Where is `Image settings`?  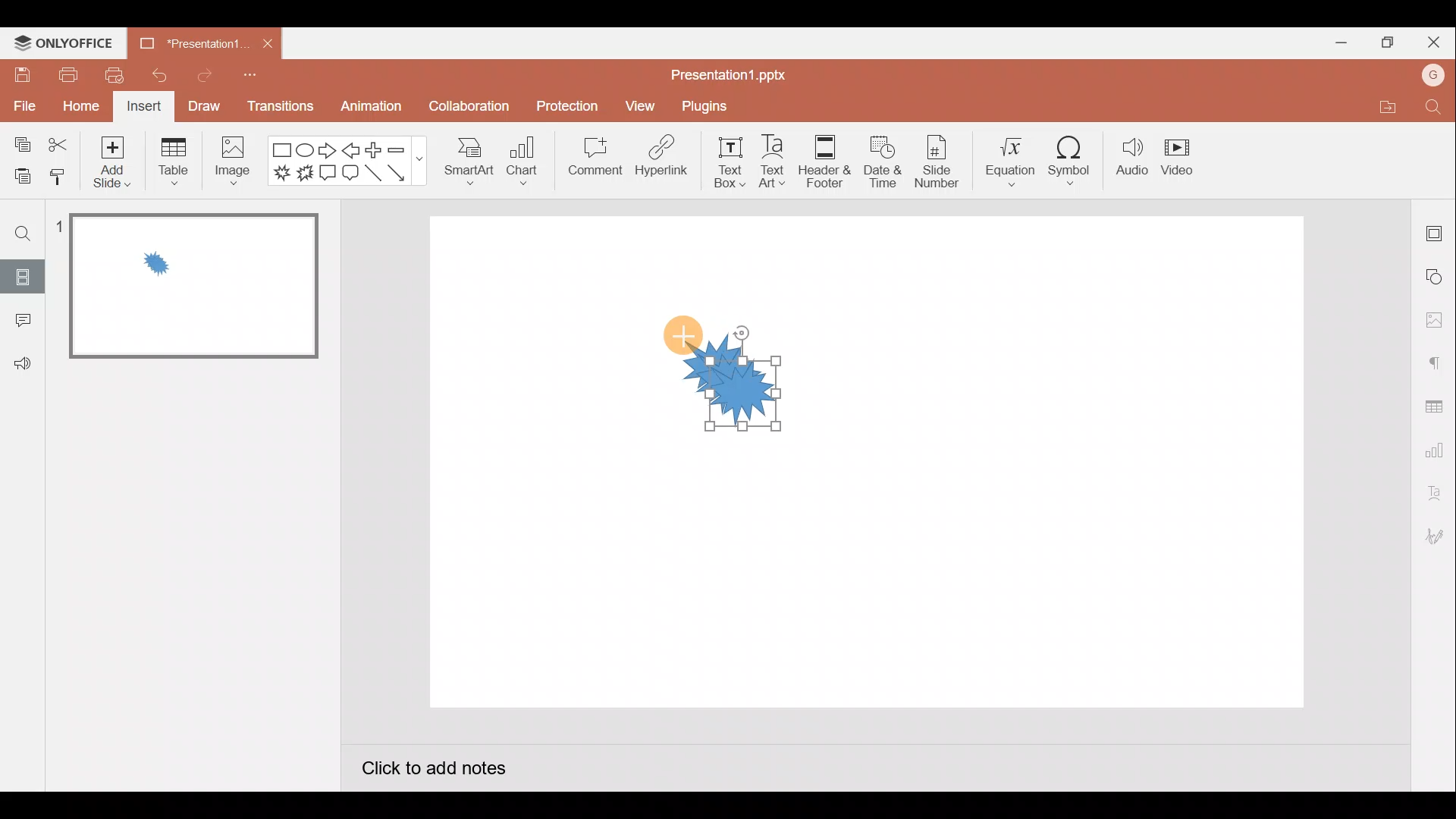
Image settings is located at coordinates (1432, 318).